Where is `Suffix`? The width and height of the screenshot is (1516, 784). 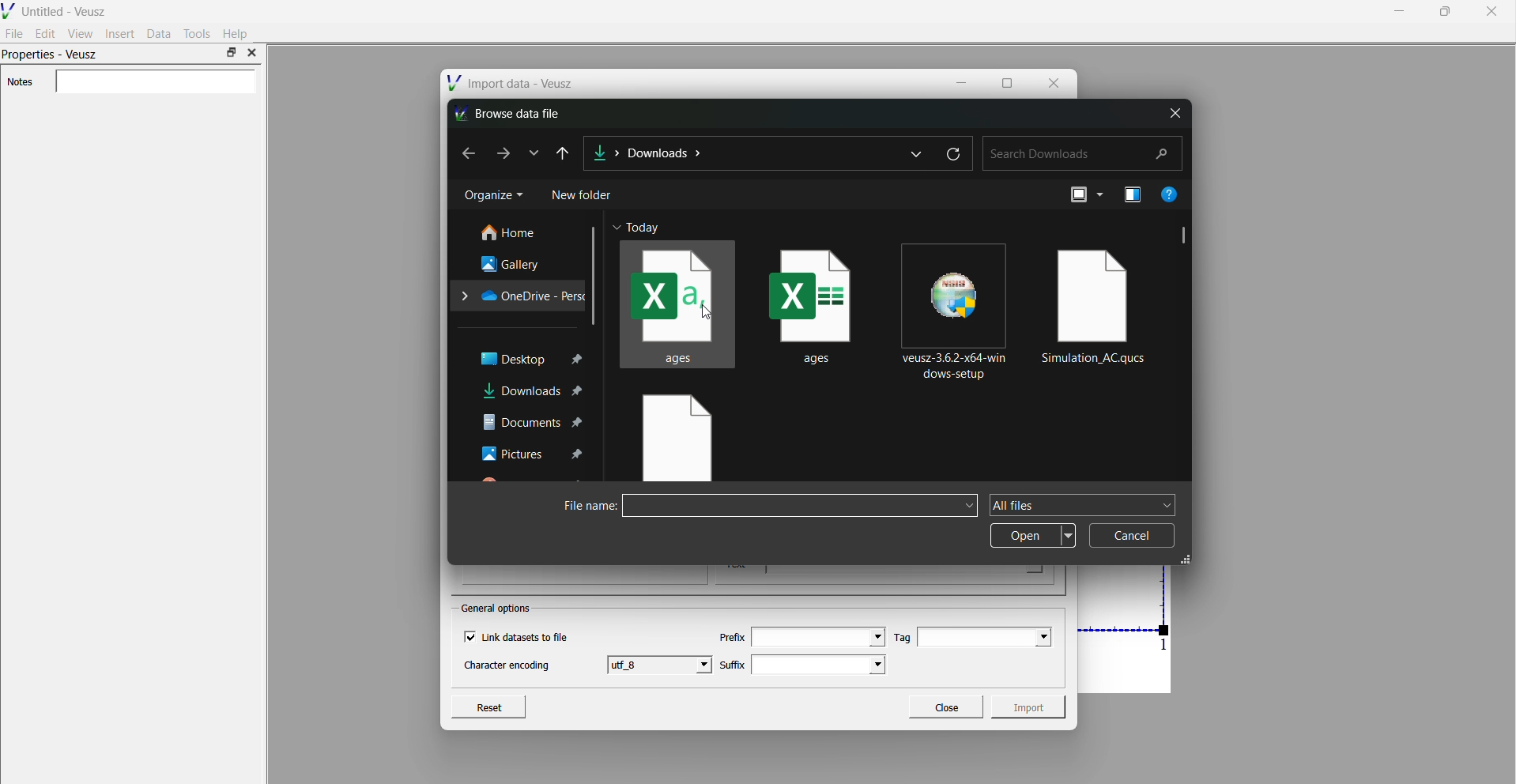
Suffix is located at coordinates (733, 663).